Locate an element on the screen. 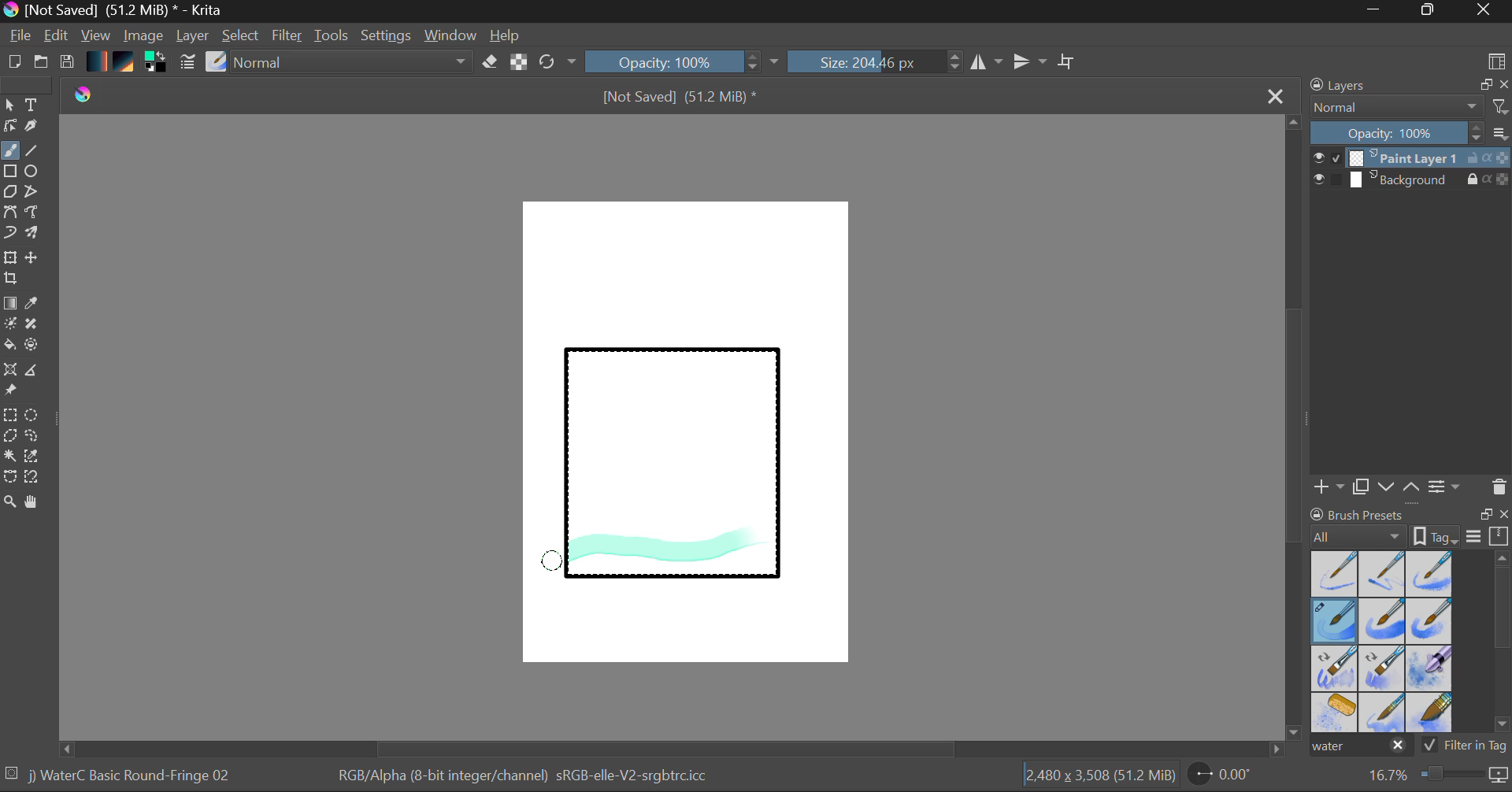 This screenshot has height=792, width=1512. MOUSE_UP Stroke 1 is located at coordinates (556, 560).